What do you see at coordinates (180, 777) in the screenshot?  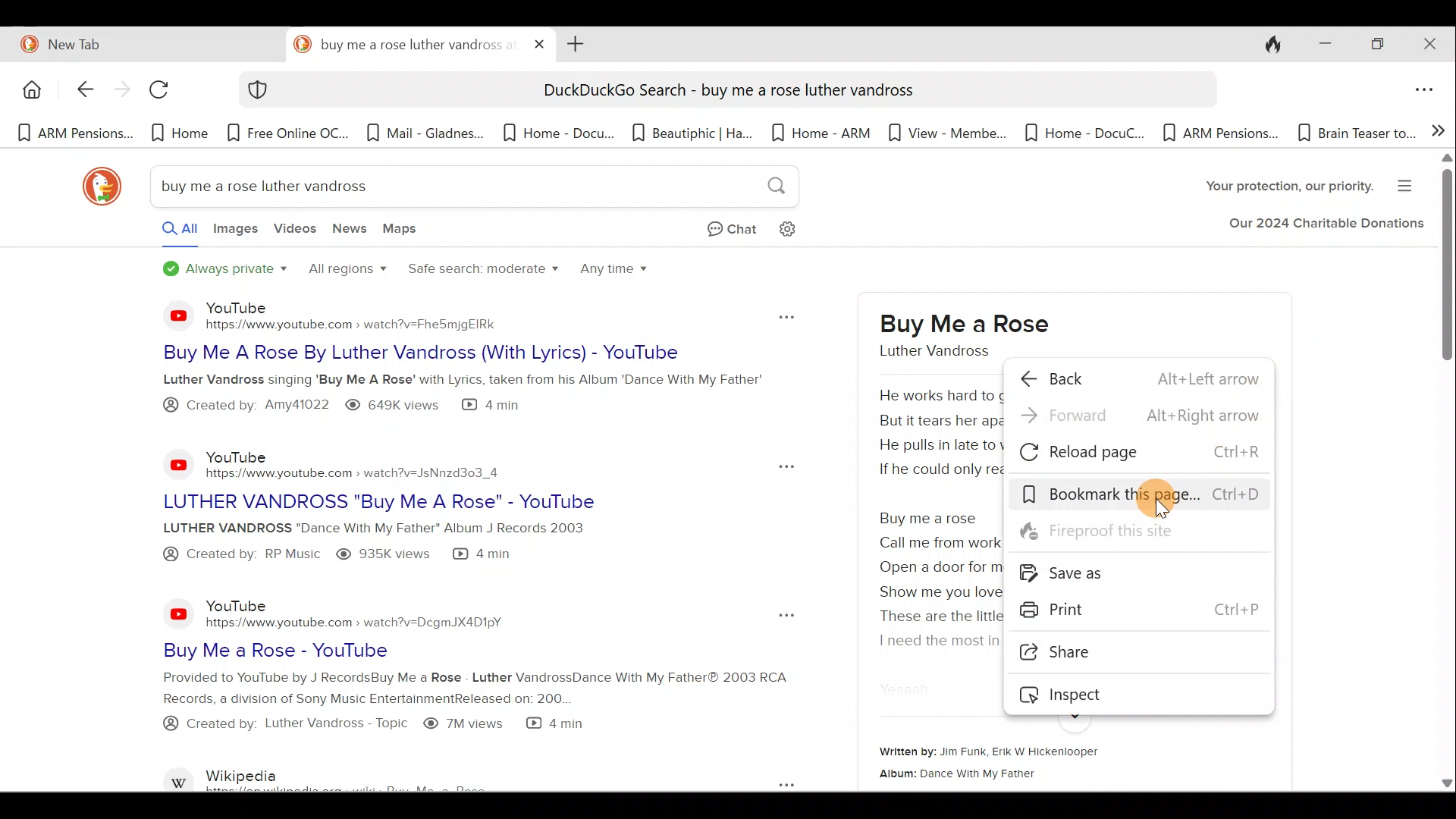 I see `Wikipedia logo` at bounding box center [180, 777].